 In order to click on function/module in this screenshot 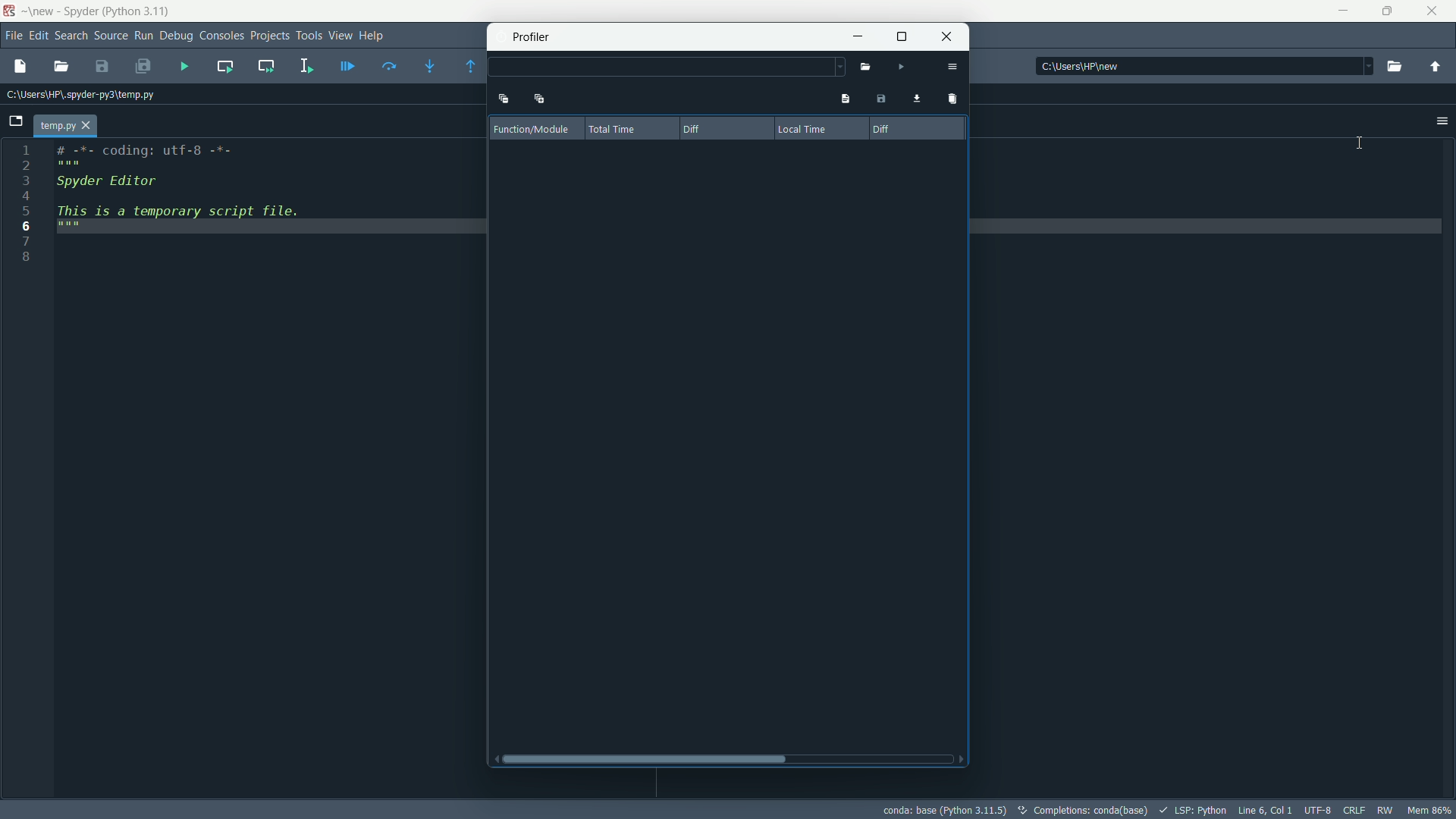, I will do `click(530, 129)`.